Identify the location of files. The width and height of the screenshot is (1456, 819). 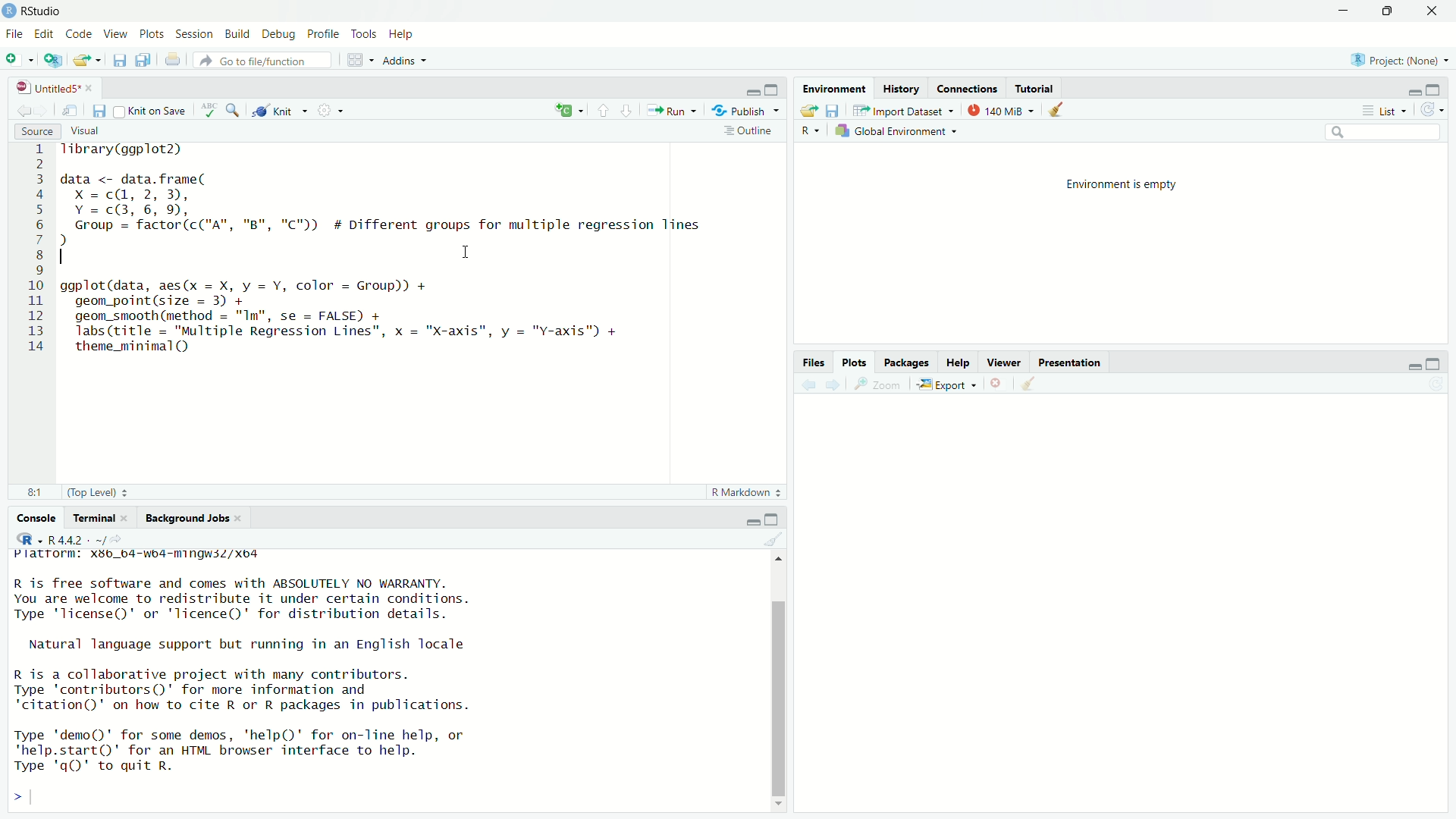
(837, 111).